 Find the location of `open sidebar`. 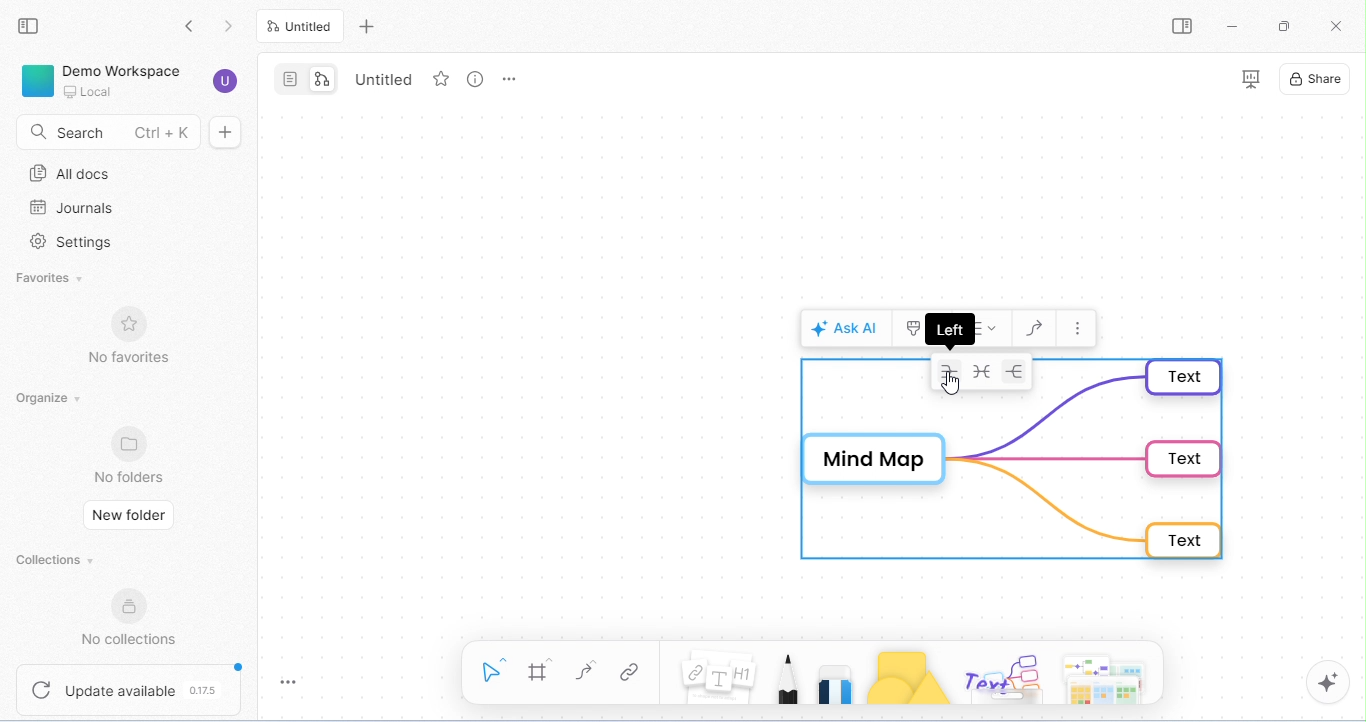

open sidebar is located at coordinates (1187, 27).